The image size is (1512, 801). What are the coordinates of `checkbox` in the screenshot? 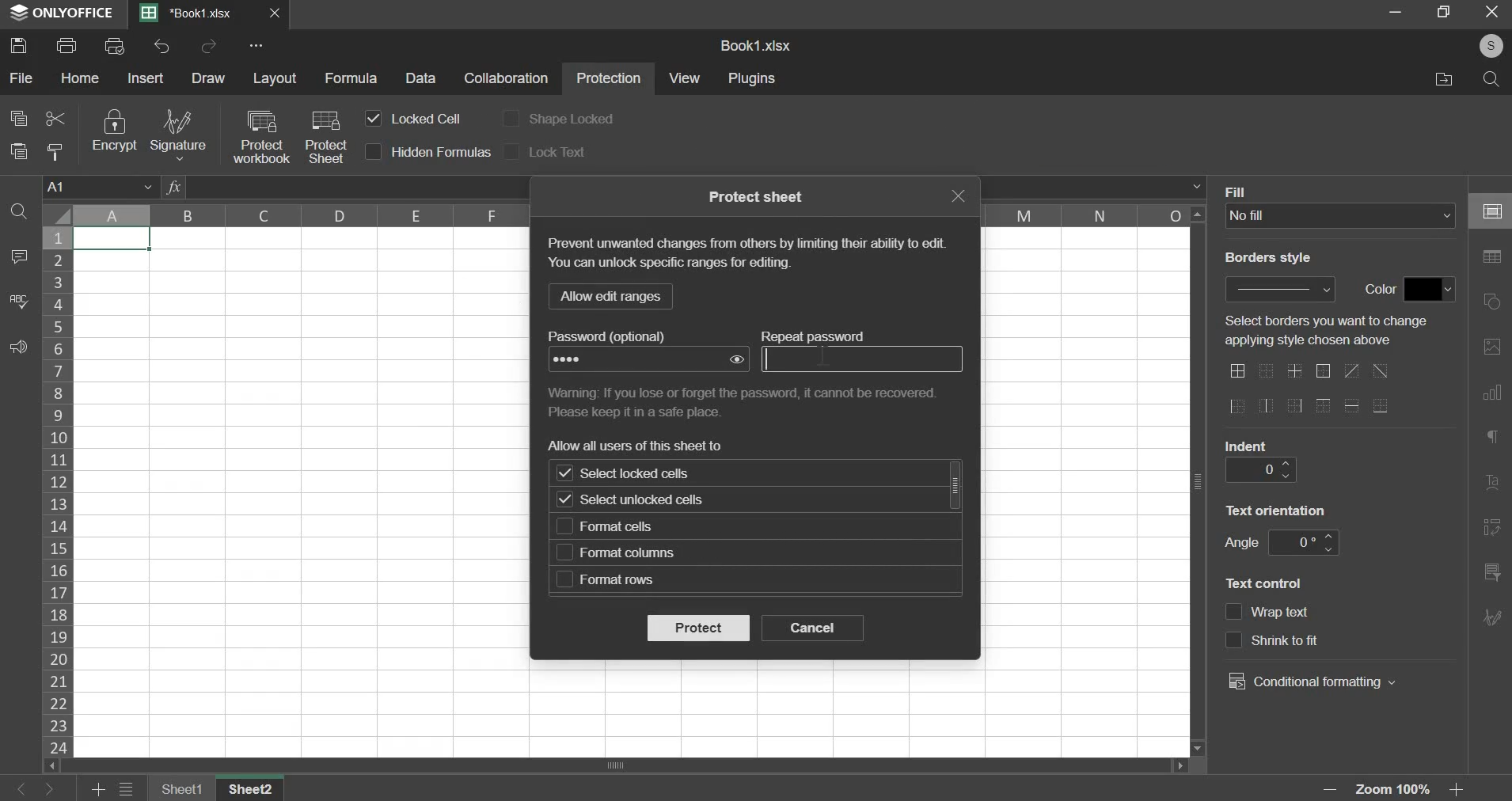 It's located at (564, 474).